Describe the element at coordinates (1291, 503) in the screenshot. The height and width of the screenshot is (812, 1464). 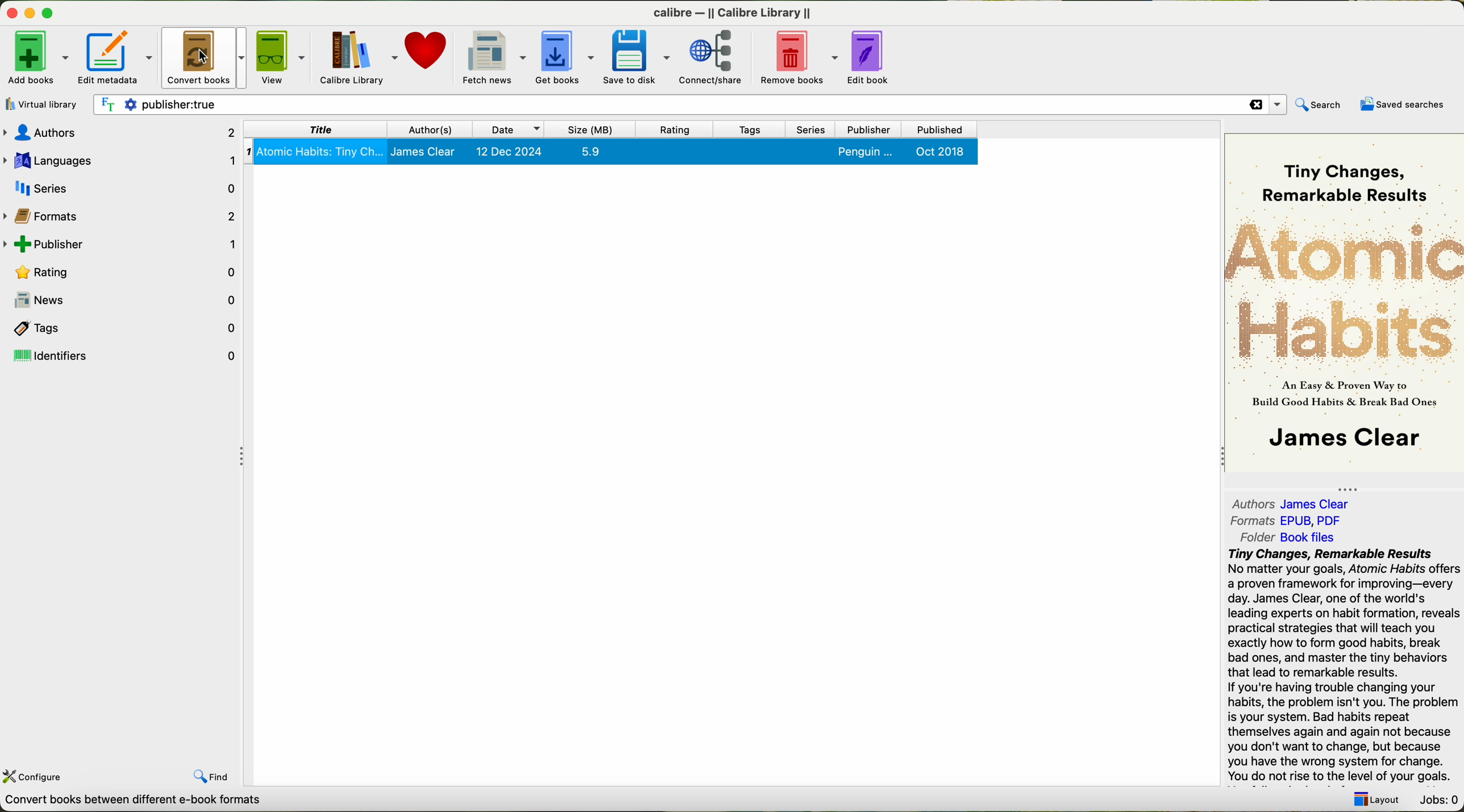
I see `authors` at that location.